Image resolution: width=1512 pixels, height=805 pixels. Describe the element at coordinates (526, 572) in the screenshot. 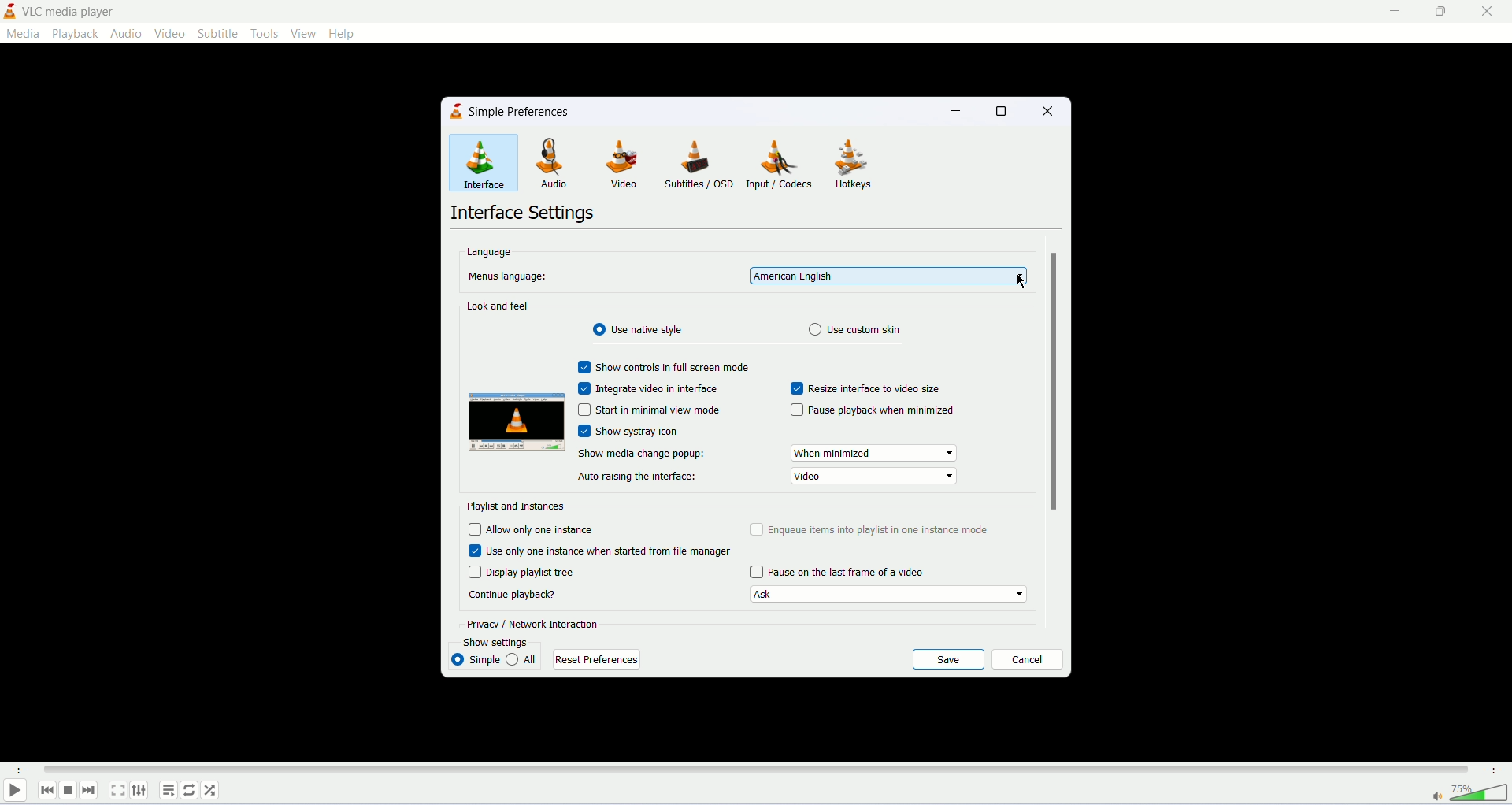

I see `display playlist tree` at that location.